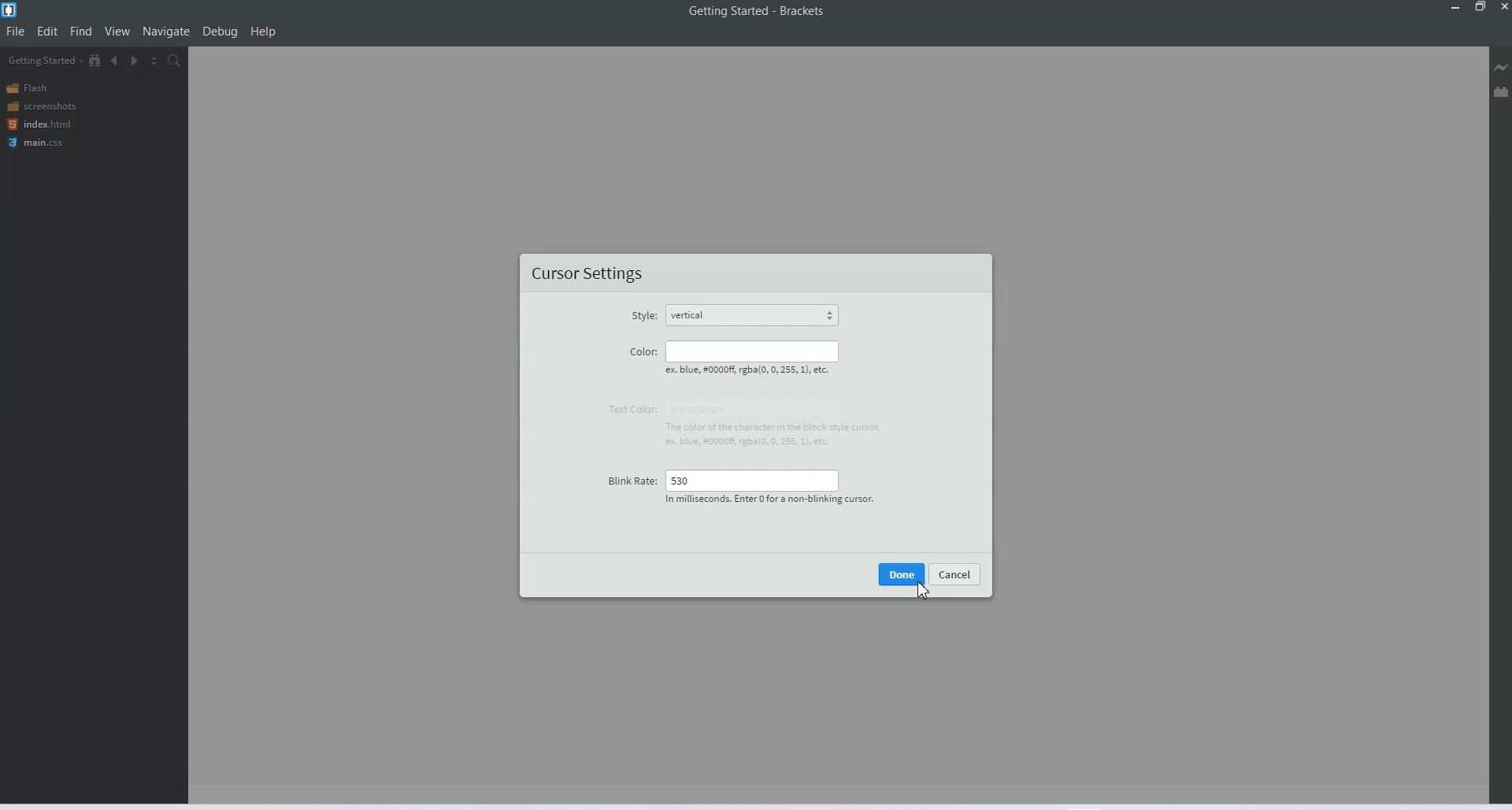 Image resolution: width=1512 pixels, height=810 pixels. Describe the element at coordinates (82, 30) in the screenshot. I see `Find` at that location.